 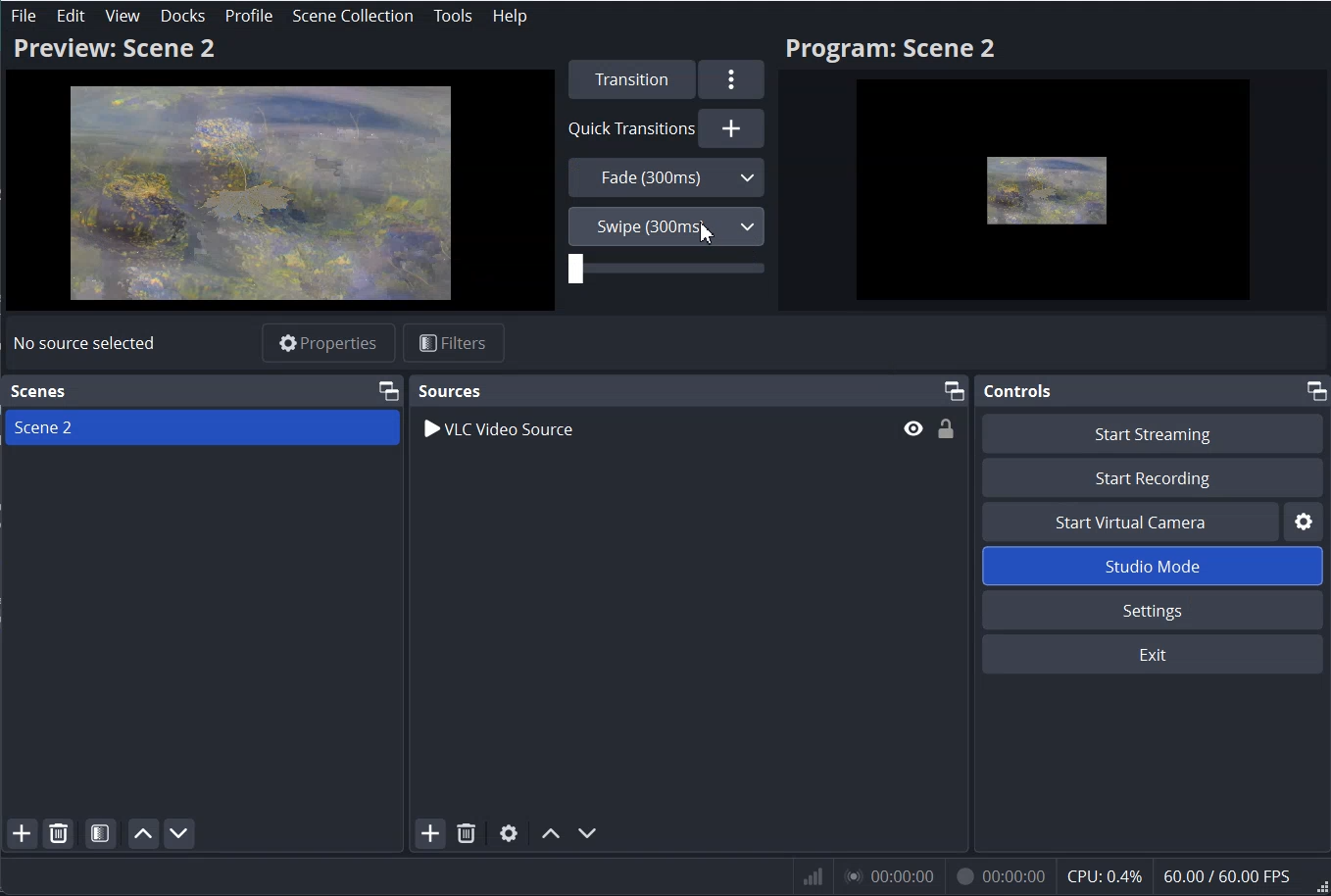 What do you see at coordinates (101, 832) in the screenshot?
I see `Open Scene filter` at bounding box center [101, 832].